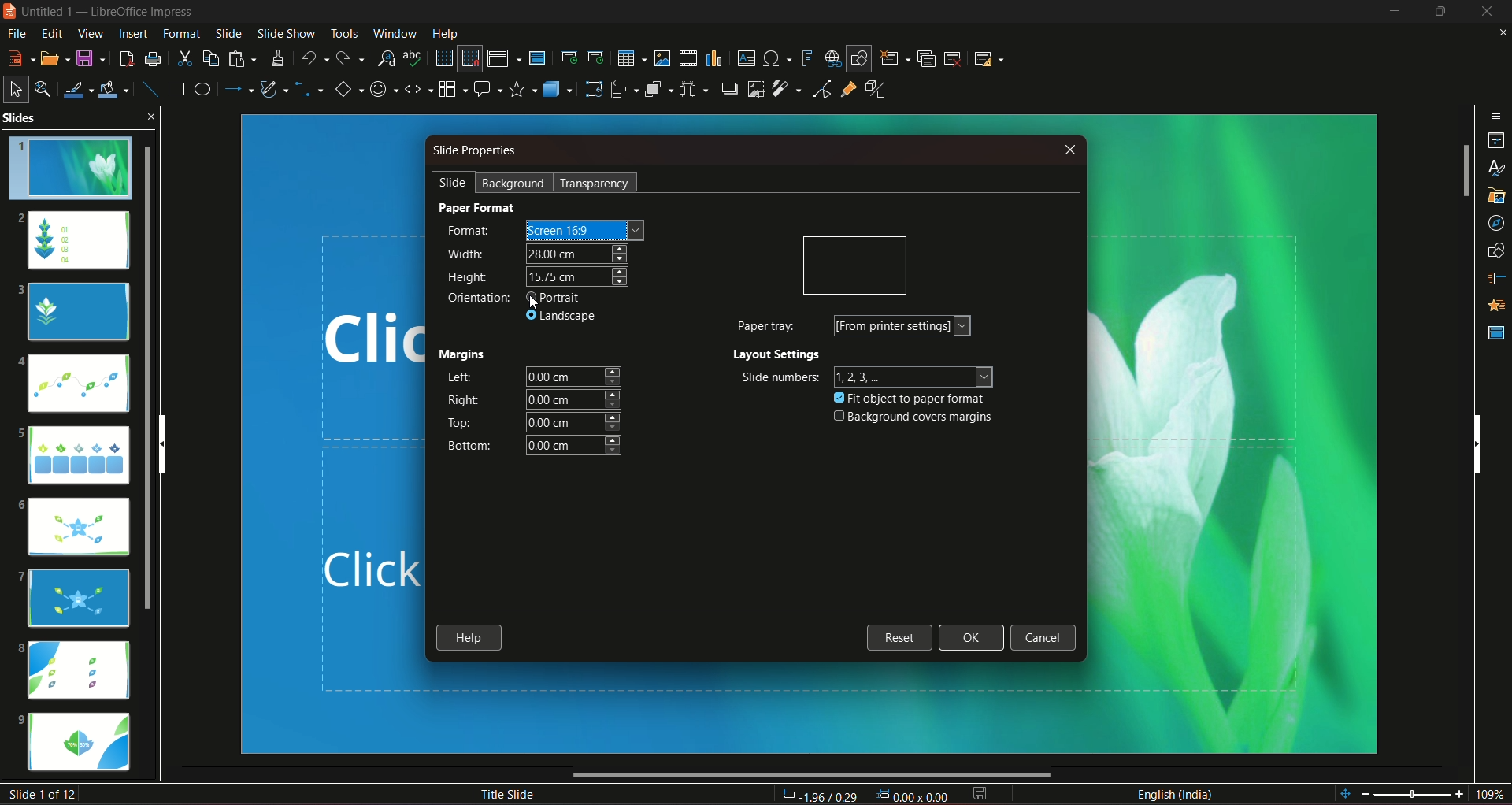  I want to click on crop image, so click(754, 88).